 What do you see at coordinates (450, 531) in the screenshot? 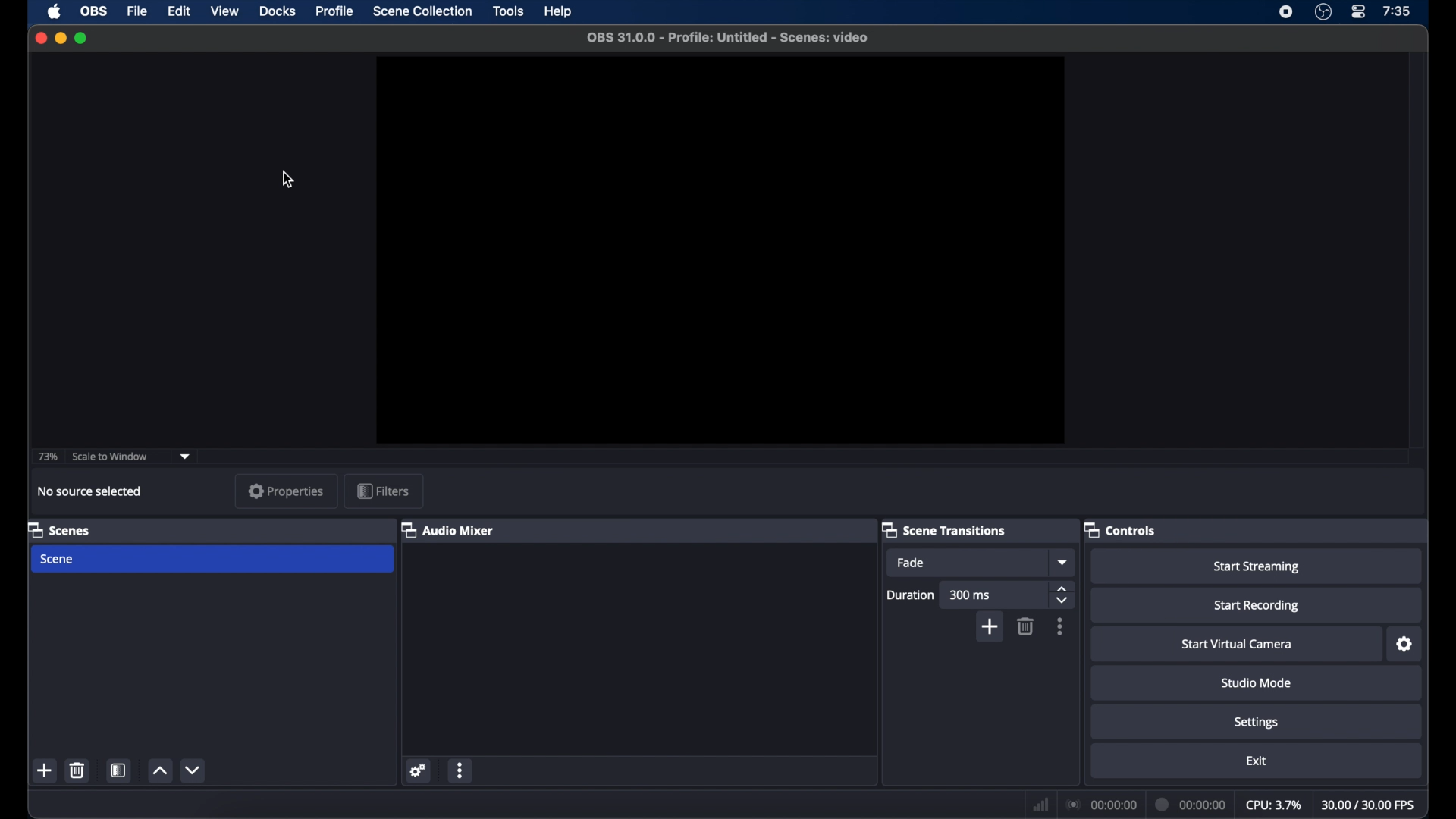
I see `audio mixer` at bounding box center [450, 531].